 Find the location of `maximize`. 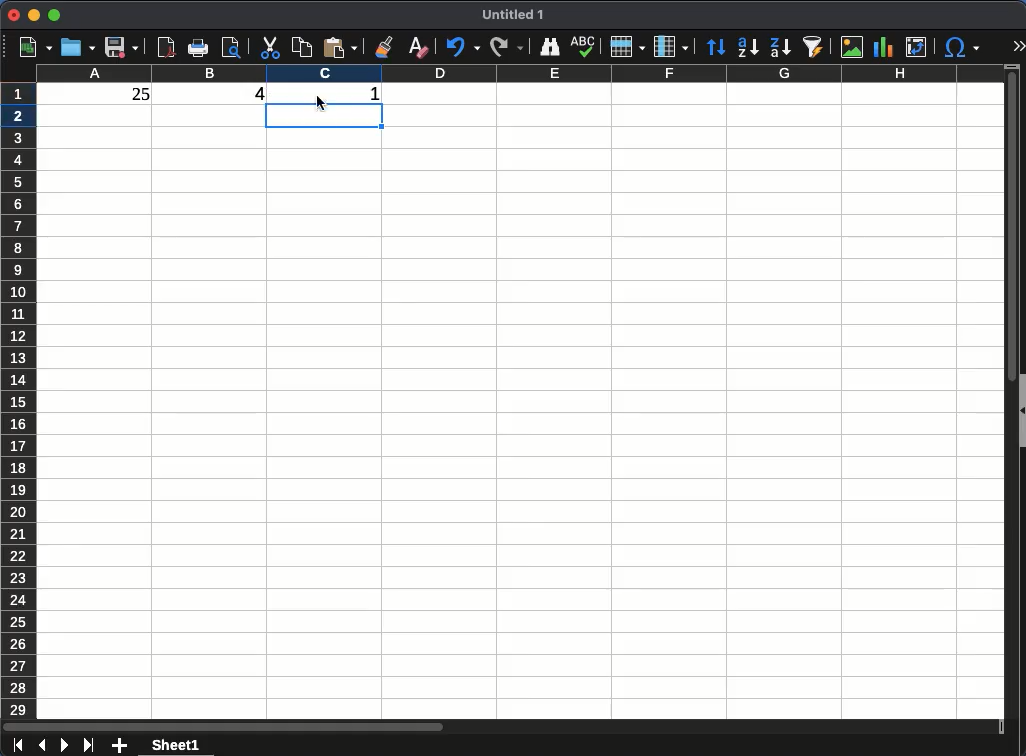

maximize is located at coordinates (53, 15).